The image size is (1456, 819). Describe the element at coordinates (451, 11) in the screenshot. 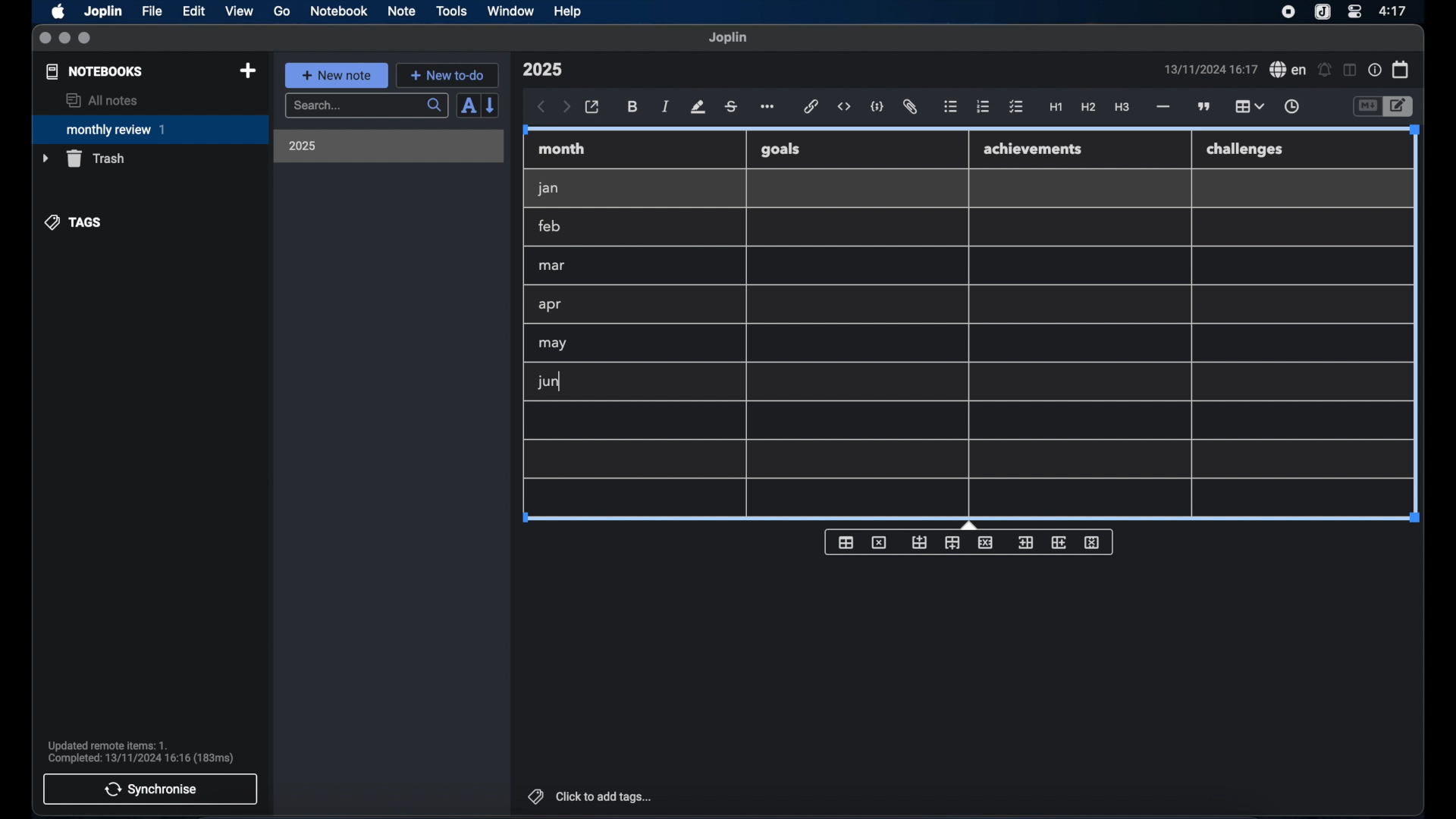

I see `tools` at that location.